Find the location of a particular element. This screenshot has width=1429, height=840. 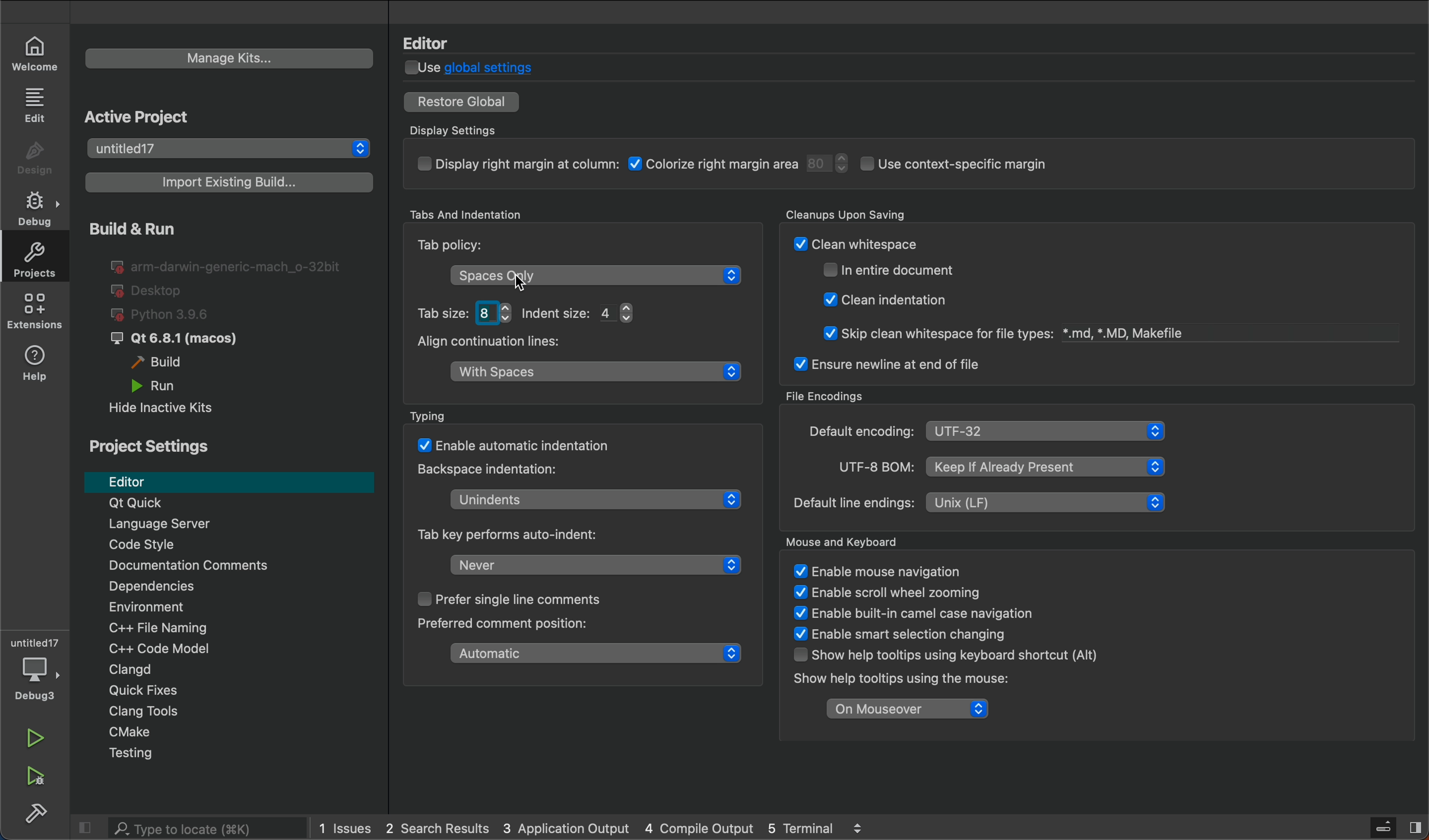

Split button is located at coordinates (1418, 824).